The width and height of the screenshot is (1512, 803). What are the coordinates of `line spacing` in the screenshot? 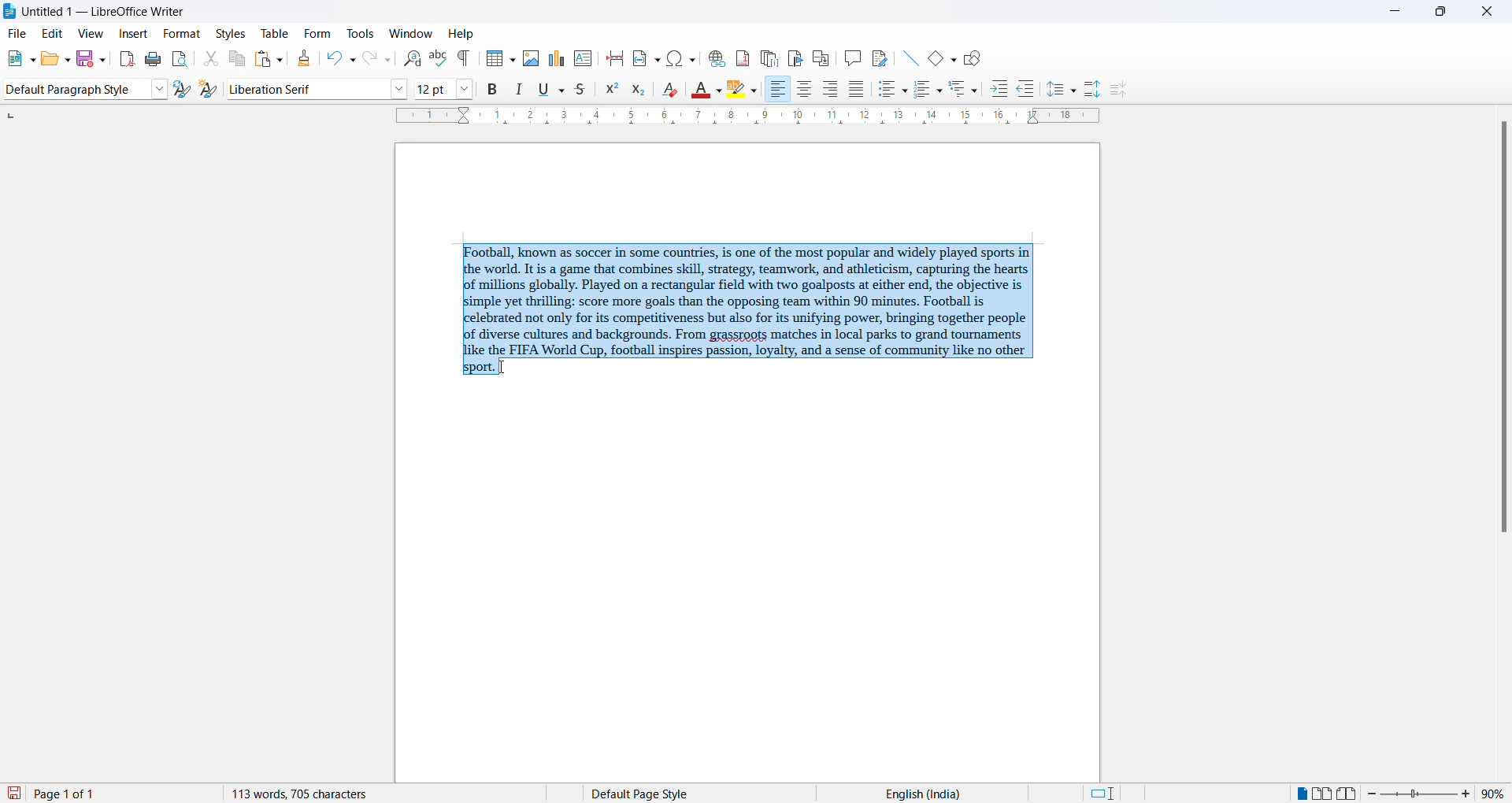 It's located at (1054, 90).